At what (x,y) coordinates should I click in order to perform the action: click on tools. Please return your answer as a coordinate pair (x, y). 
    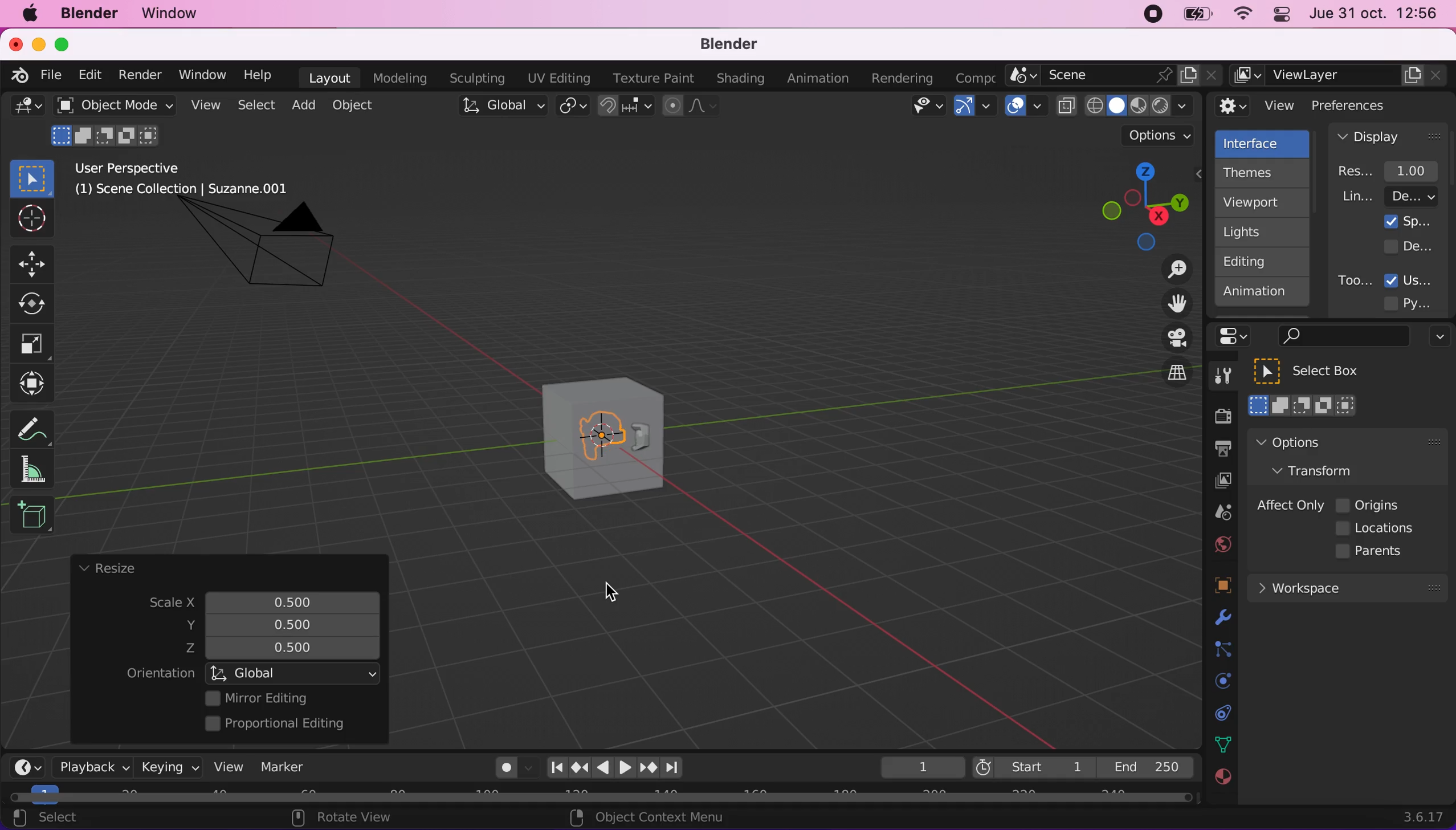
    Looking at the image, I should click on (1217, 379).